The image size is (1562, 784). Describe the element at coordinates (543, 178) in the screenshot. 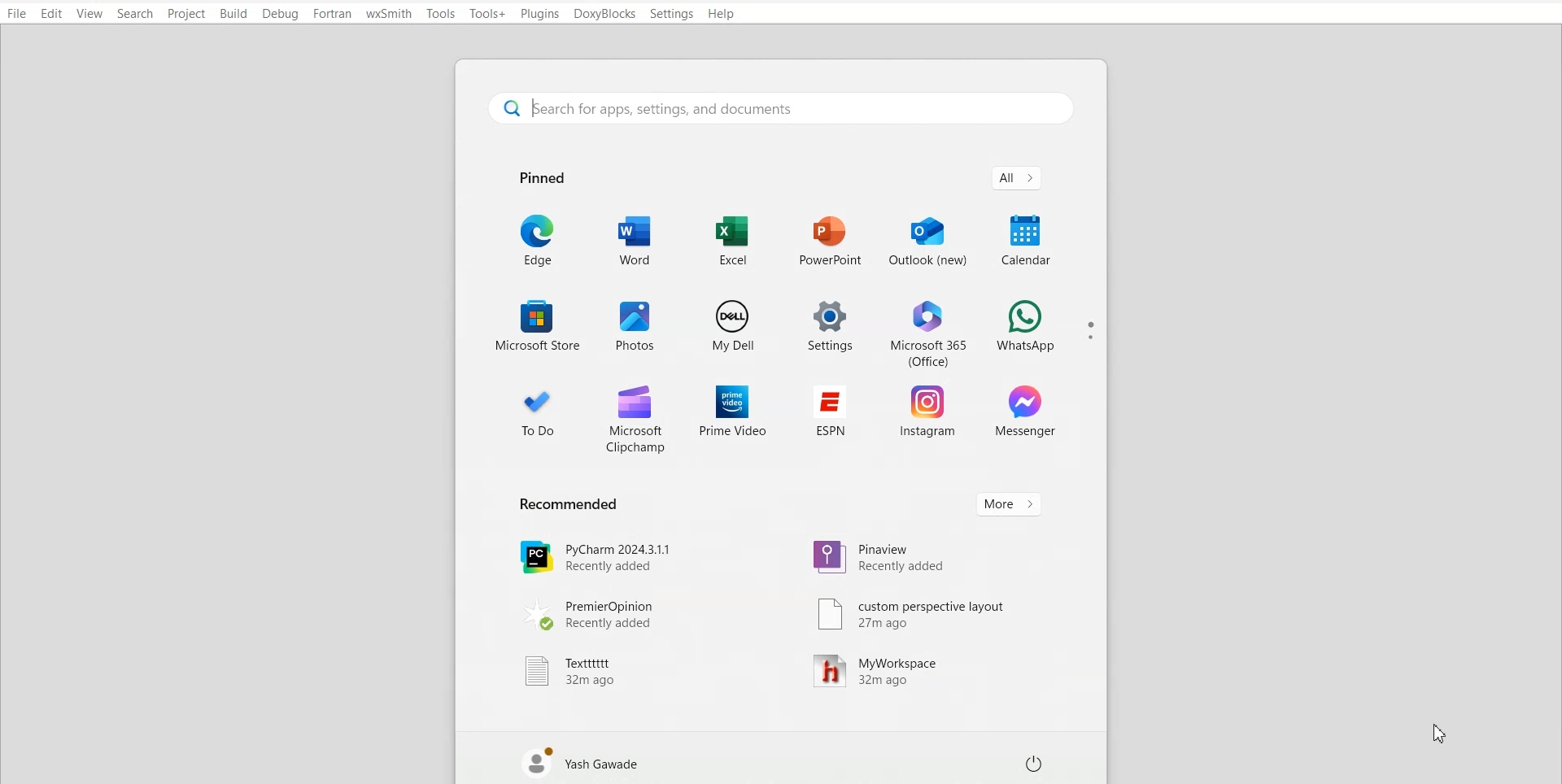

I see `Text` at that location.